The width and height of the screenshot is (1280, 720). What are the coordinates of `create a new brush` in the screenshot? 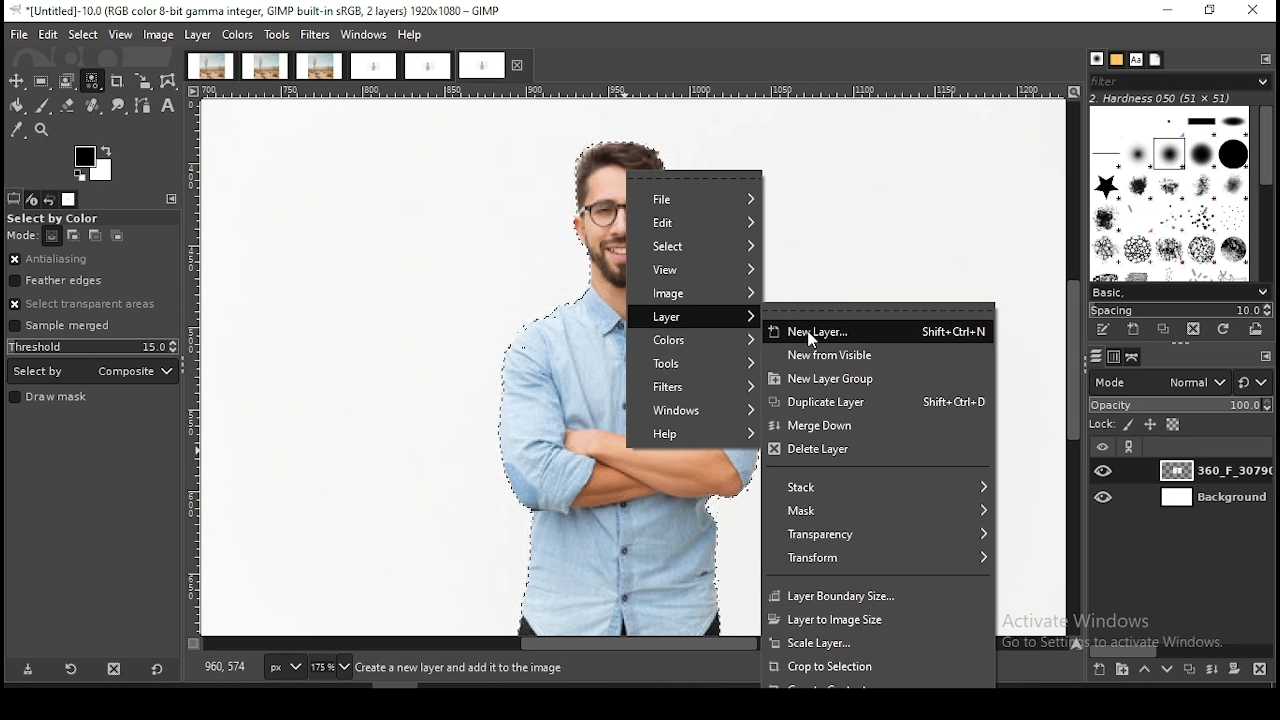 It's located at (1134, 330).